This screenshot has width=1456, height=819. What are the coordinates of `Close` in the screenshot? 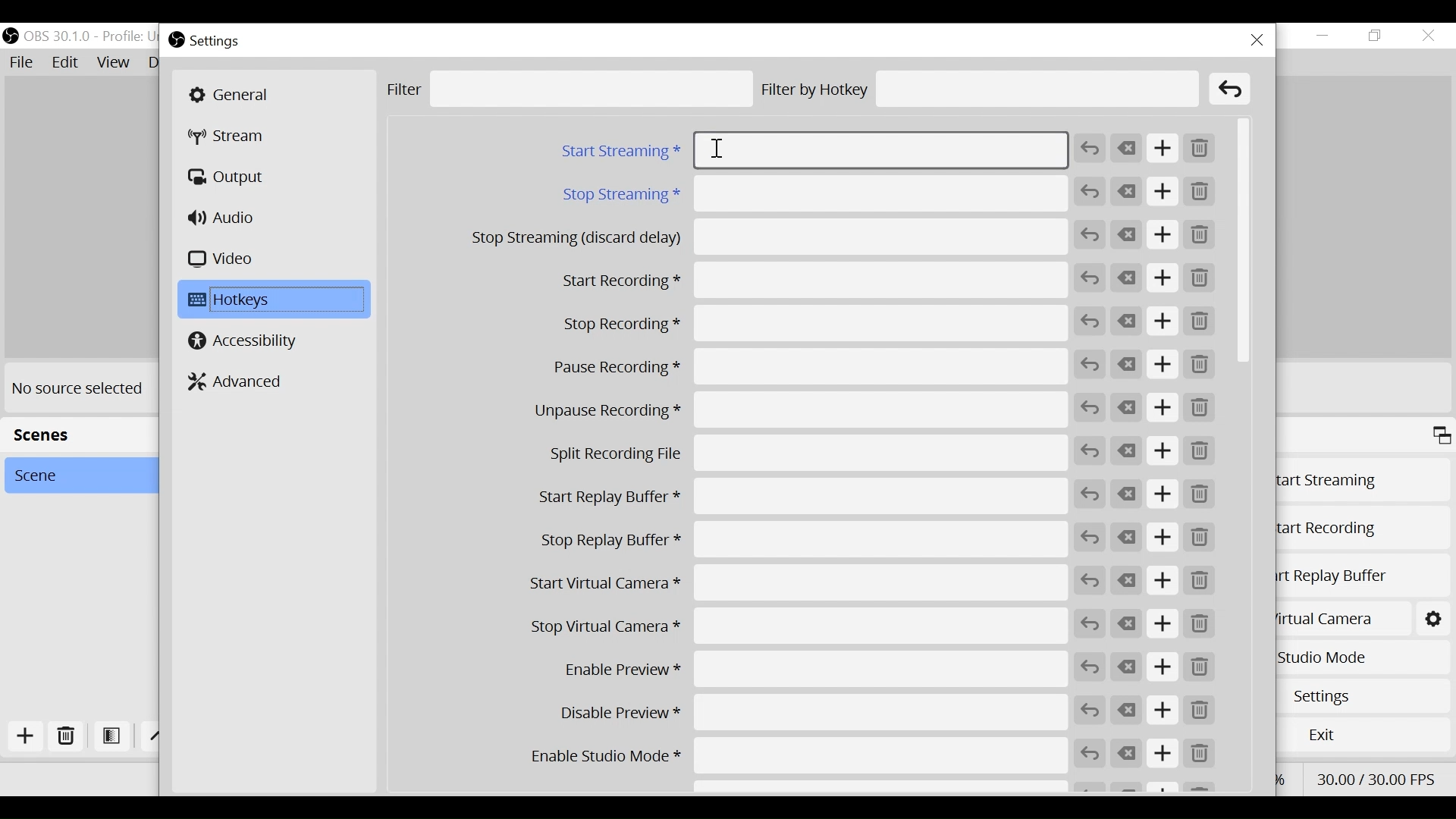 It's located at (1258, 40).